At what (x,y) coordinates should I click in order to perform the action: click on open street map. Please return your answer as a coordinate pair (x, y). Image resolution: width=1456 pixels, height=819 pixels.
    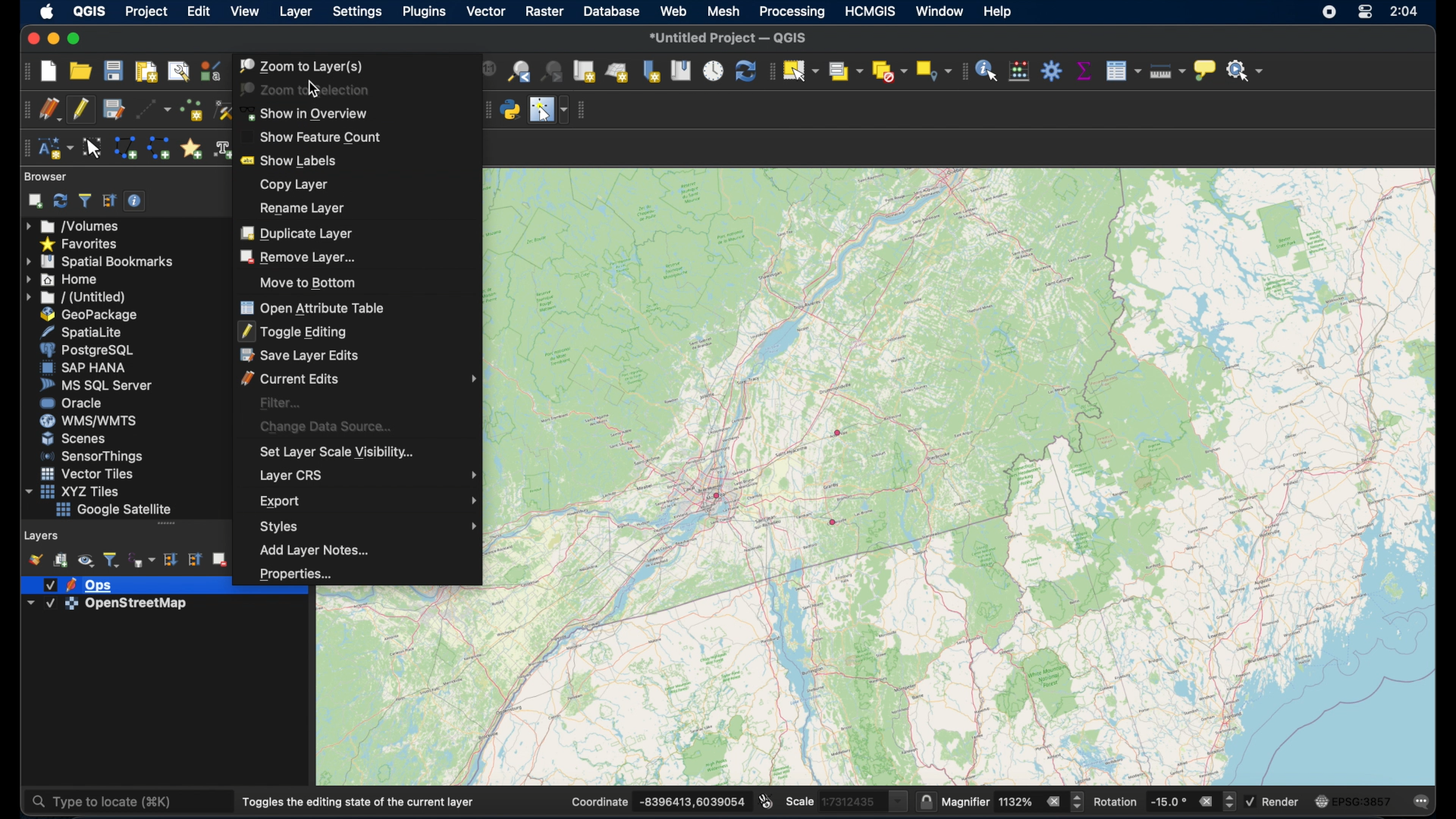
    Looking at the image, I should click on (836, 478).